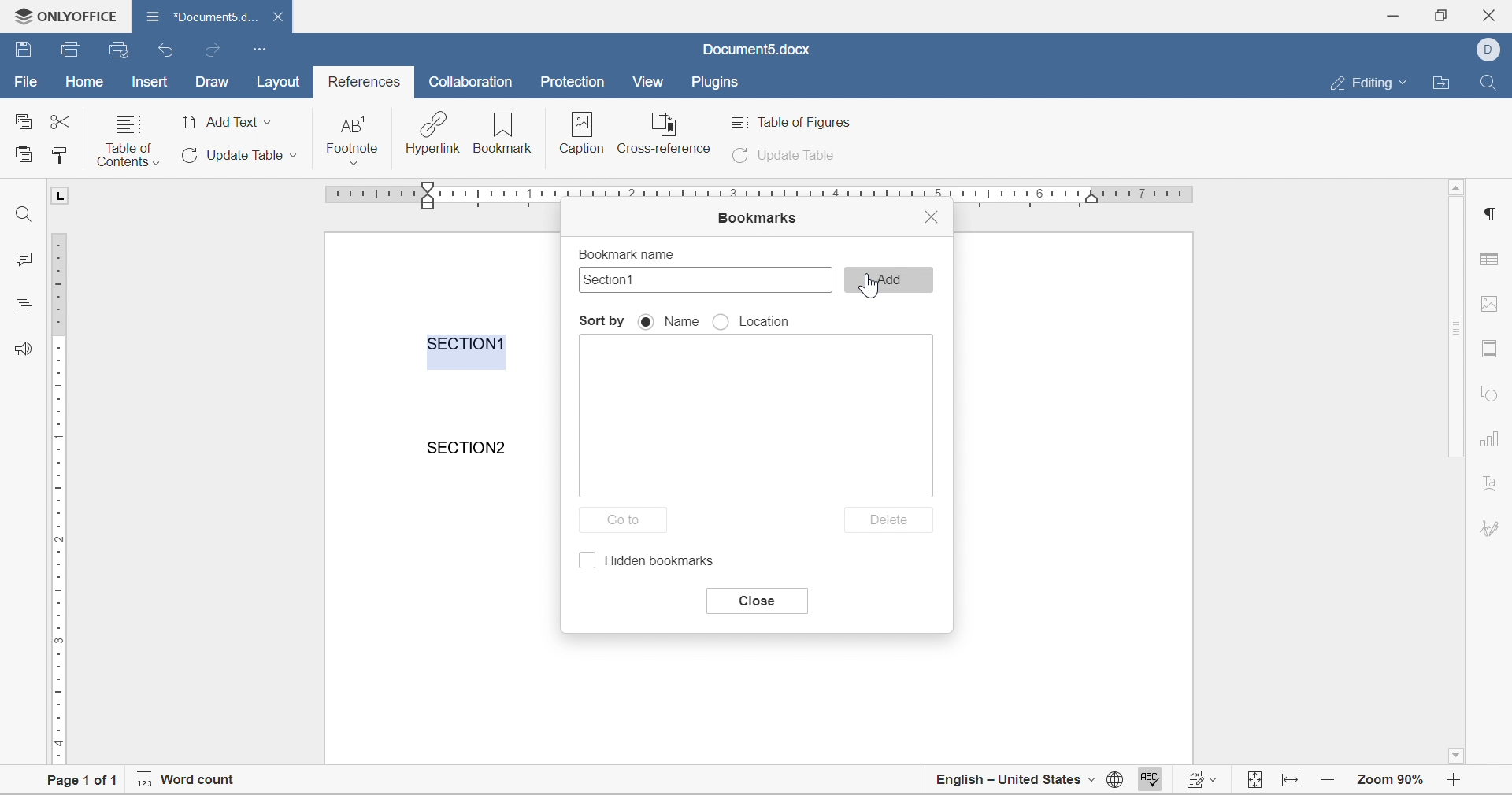 The height and width of the screenshot is (795, 1512). What do you see at coordinates (59, 154) in the screenshot?
I see `copy style` at bounding box center [59, 154].